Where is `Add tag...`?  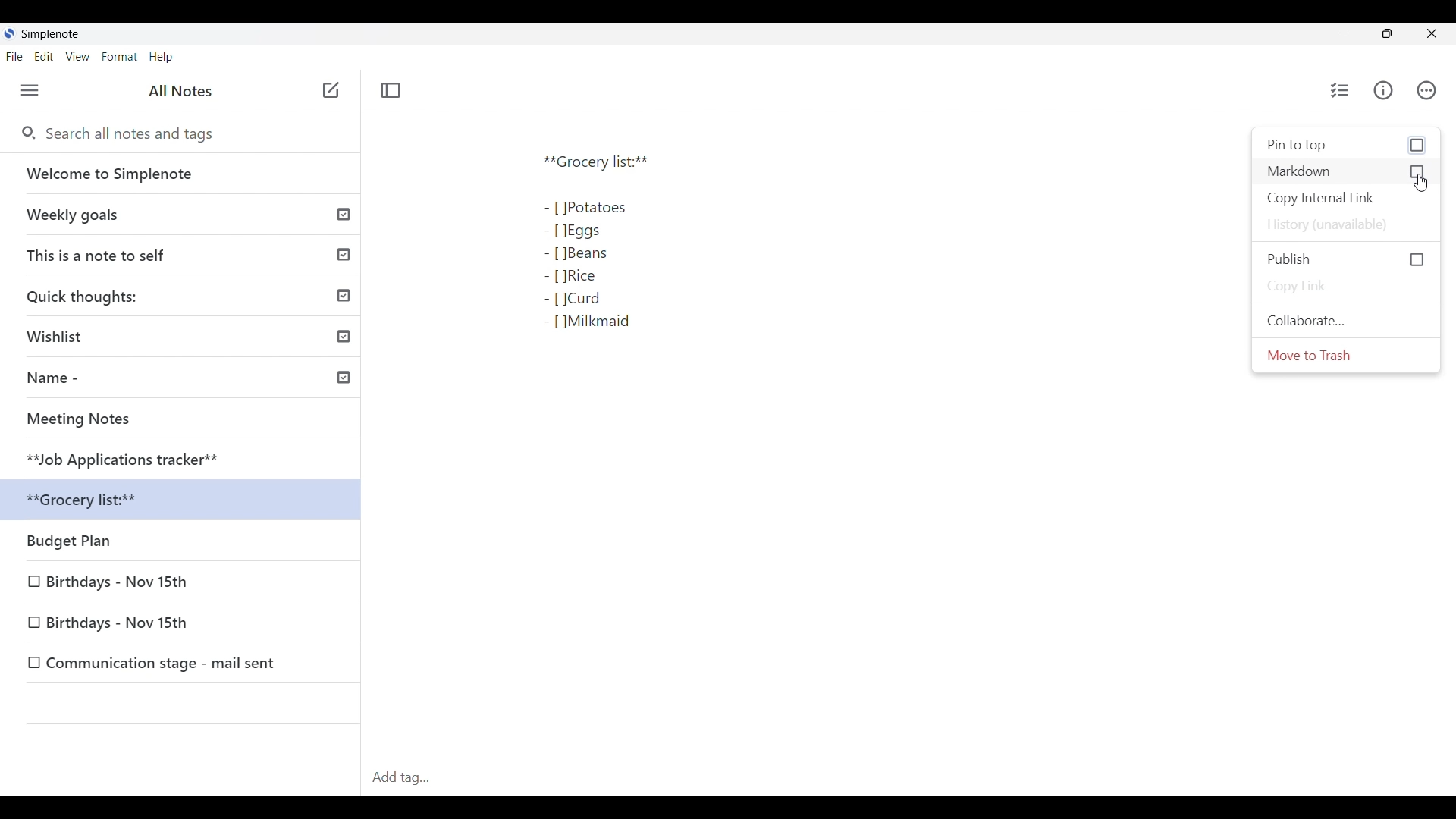
Add tag... is located at coordinates (406, 777).